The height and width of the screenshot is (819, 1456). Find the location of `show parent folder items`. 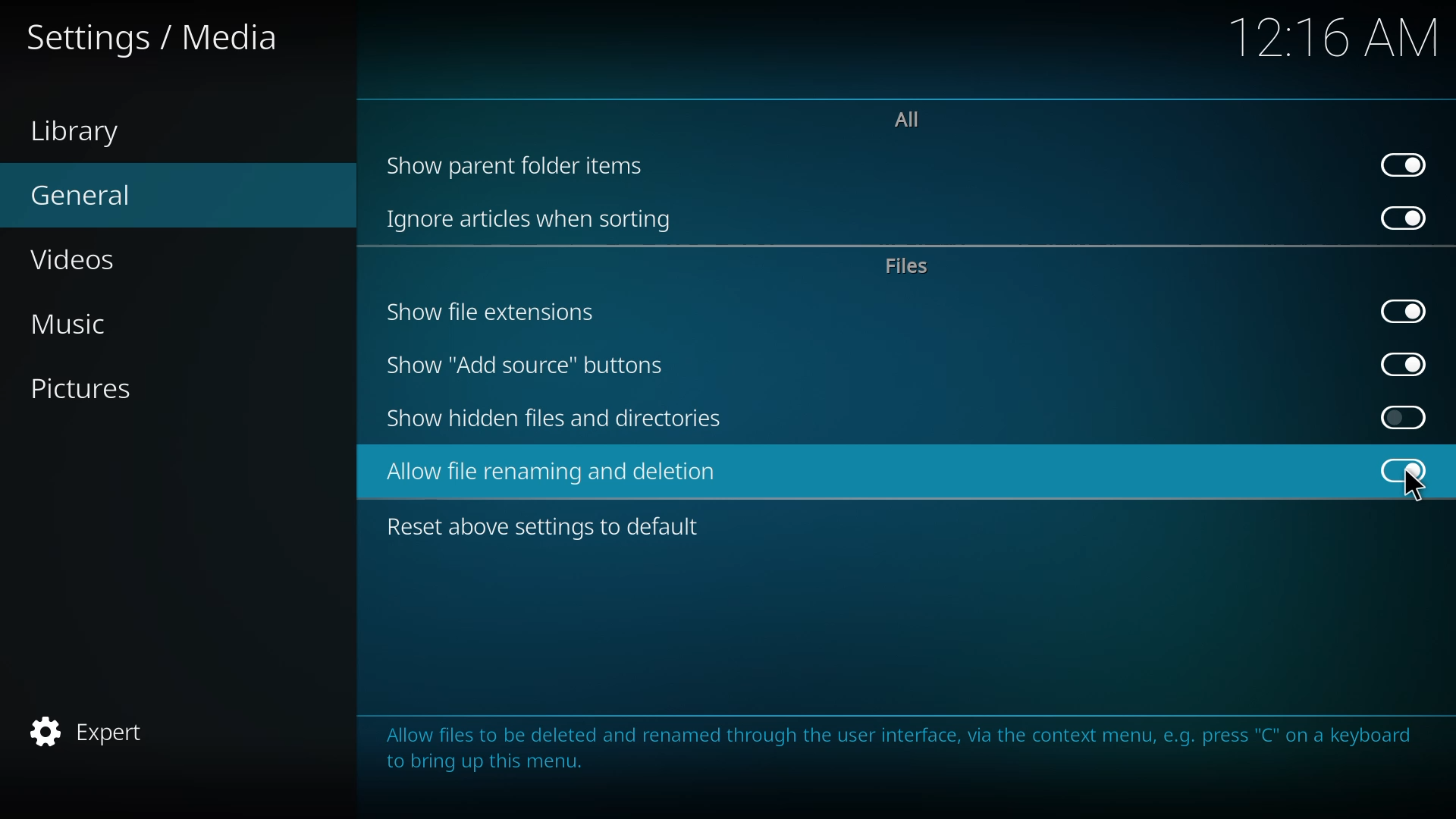

show parent folder items is located at coordinates (517, 165).